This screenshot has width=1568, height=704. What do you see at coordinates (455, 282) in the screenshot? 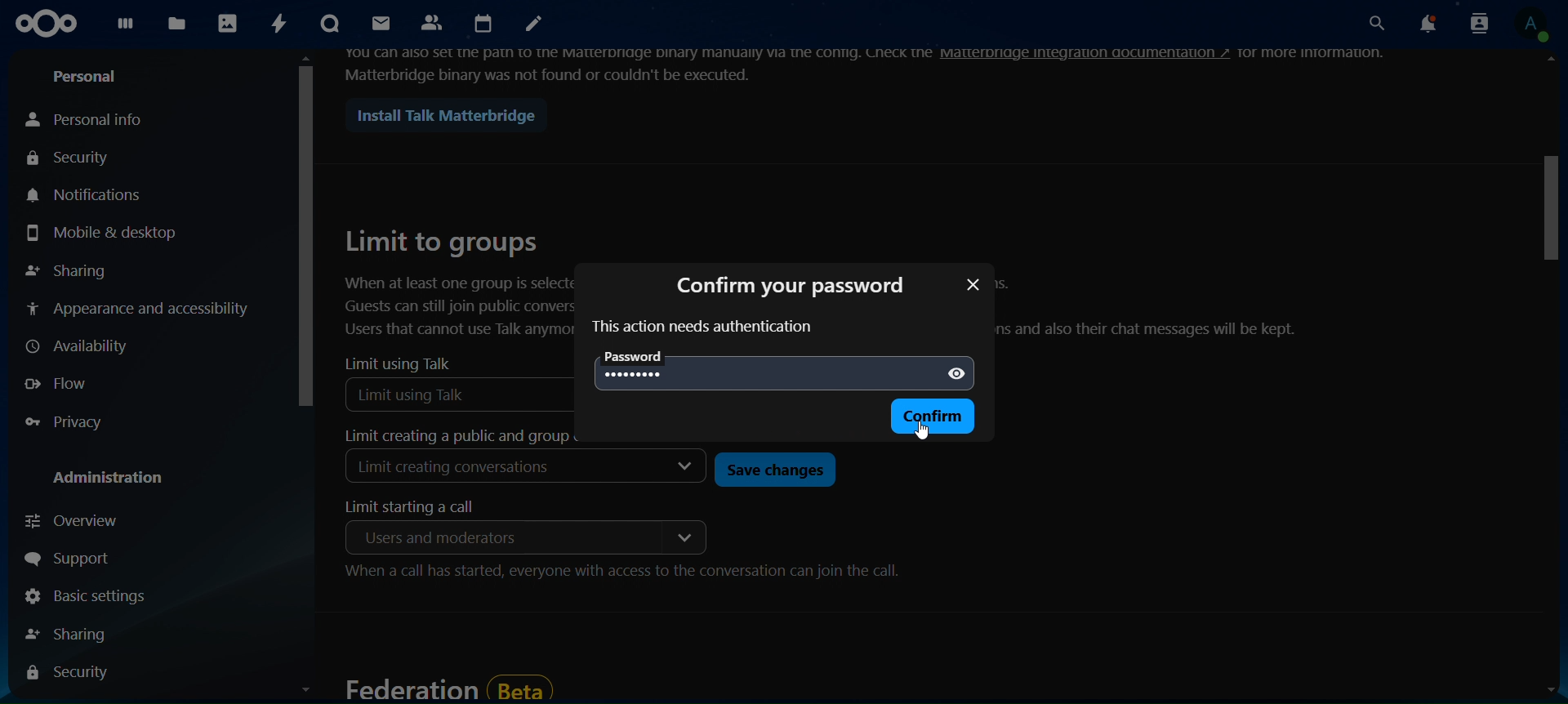
I see `limit to groups` at bounding box center [455, 282].